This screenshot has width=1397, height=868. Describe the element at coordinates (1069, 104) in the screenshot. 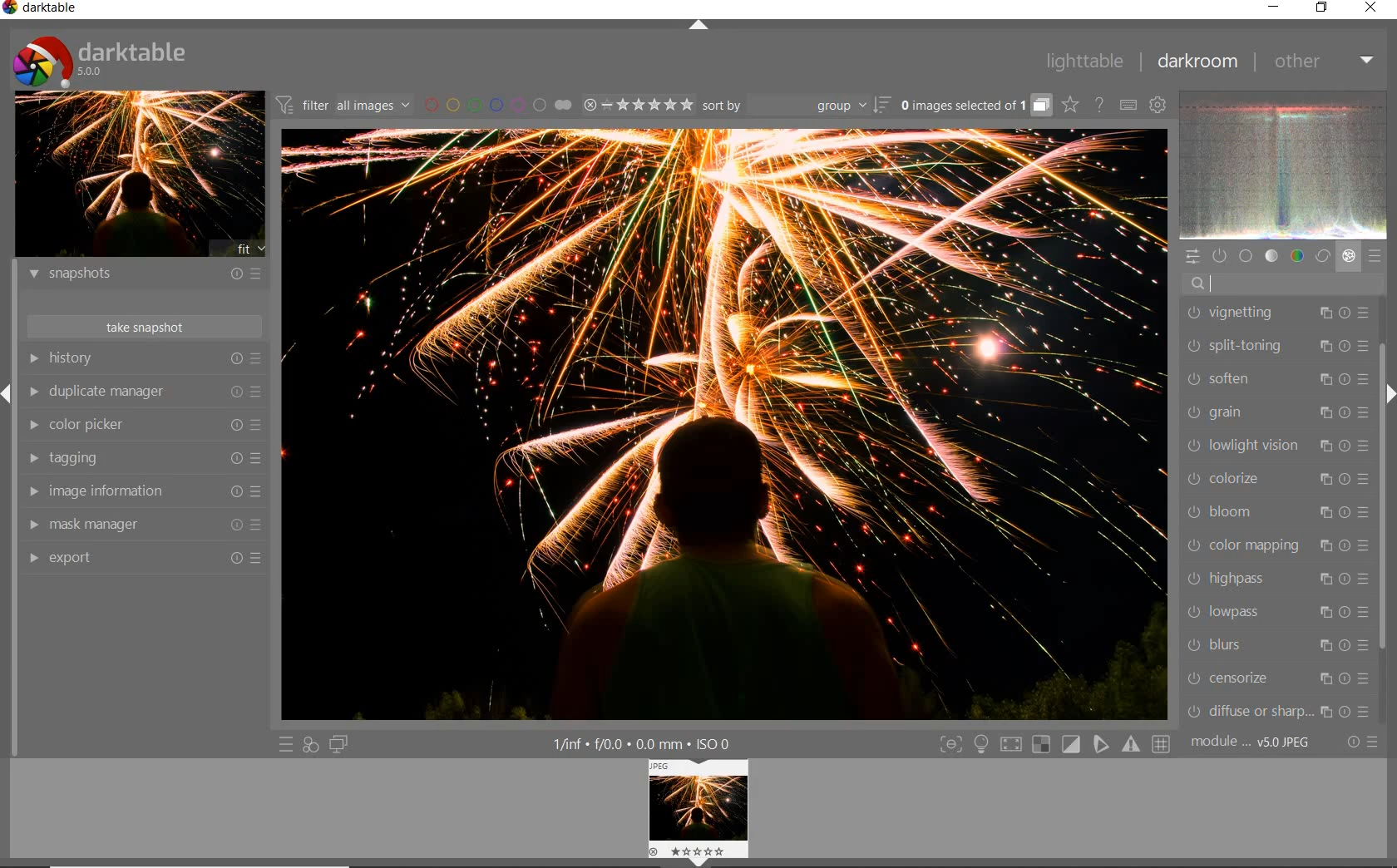

I see `click to change overlays on thumbnails` at that location.